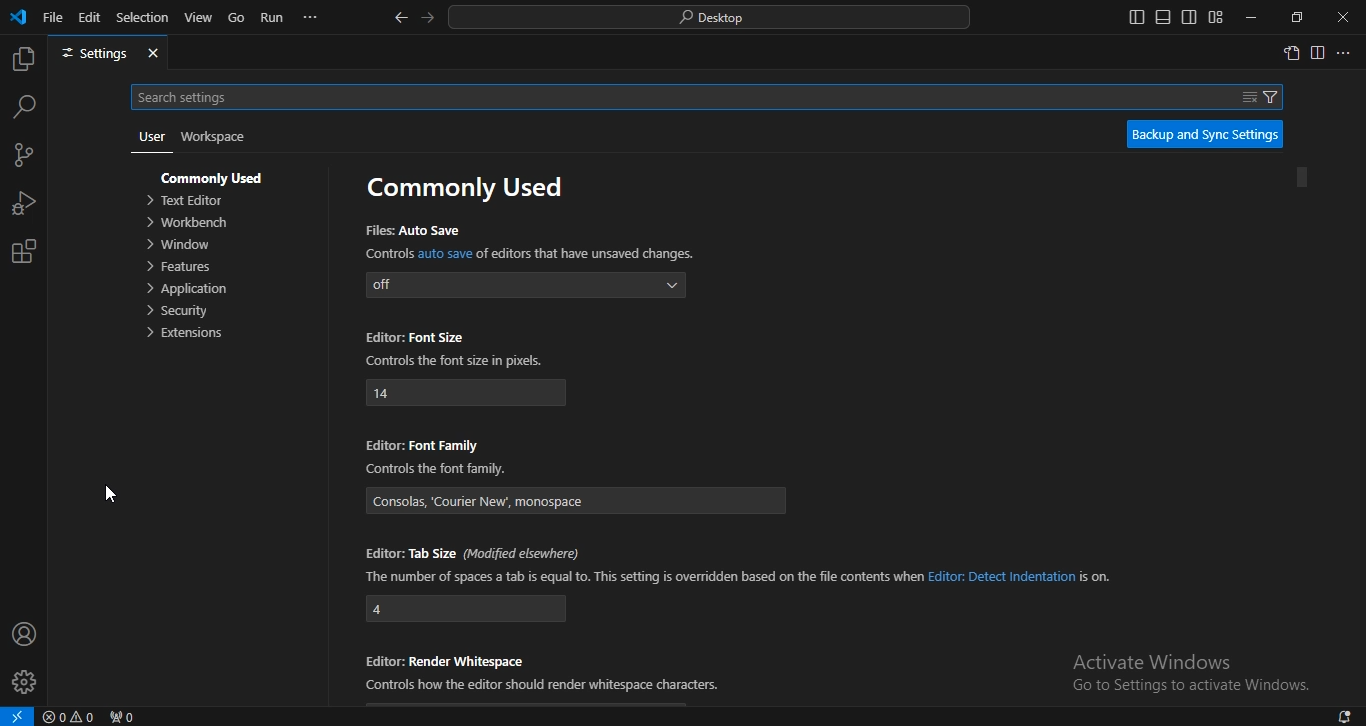 Image resolution: width=1366 pixels, height=726 pixels. I want to click on Files: Auto Save
Controls auto save of editors that have unsaved changes., so click(520, 240).